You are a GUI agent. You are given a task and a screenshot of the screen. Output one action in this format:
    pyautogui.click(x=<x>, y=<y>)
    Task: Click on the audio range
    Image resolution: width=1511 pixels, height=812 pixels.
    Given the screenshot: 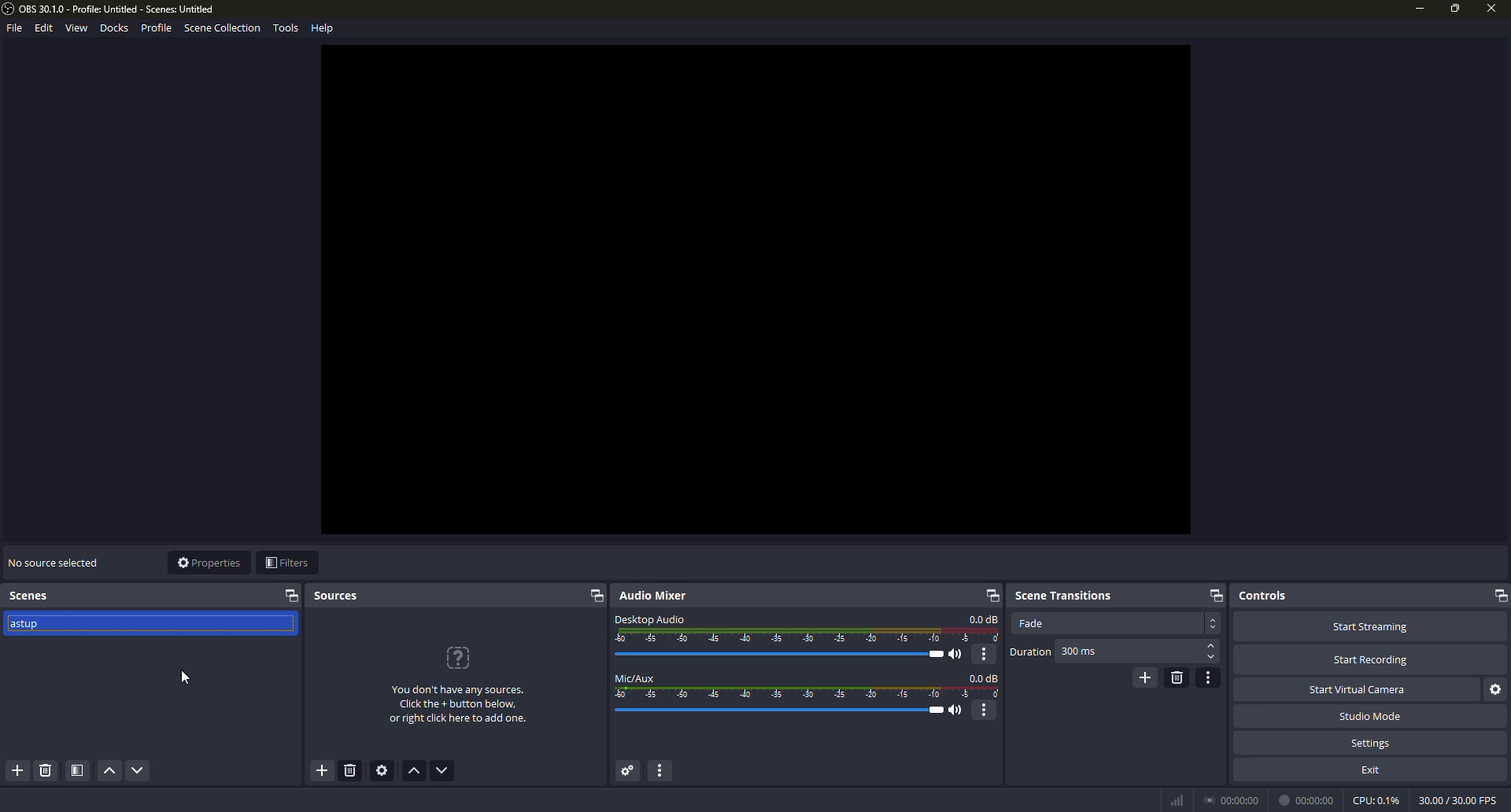 What is the action you would take?
    pyautogui.click(x=808, y=636)
    